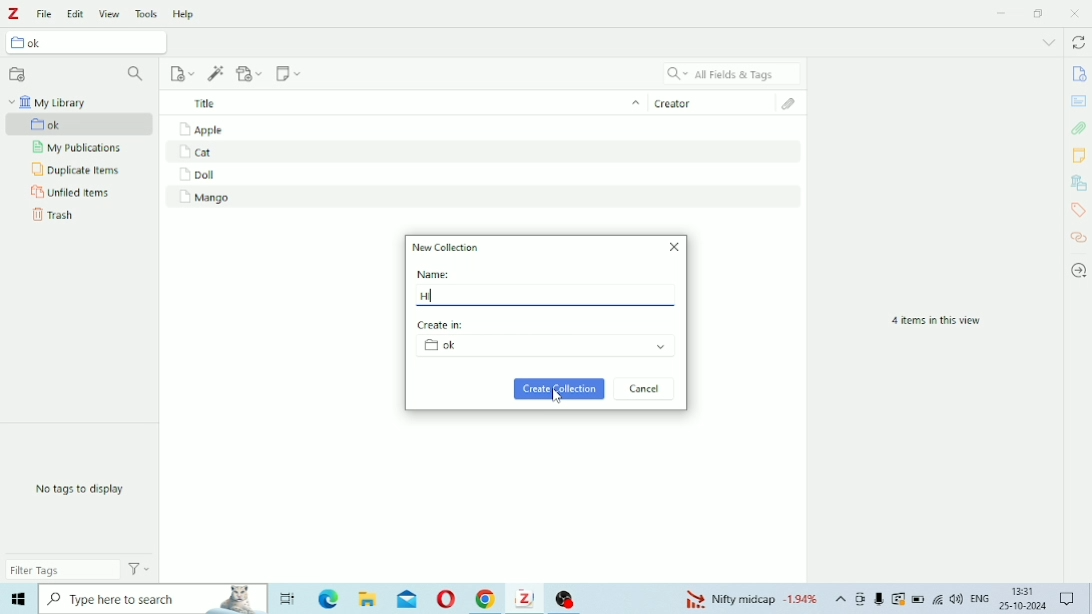  What do you see at coordinates (288, 599) in the screenshot?
I see `Task View` at bounding box center [288, 599].